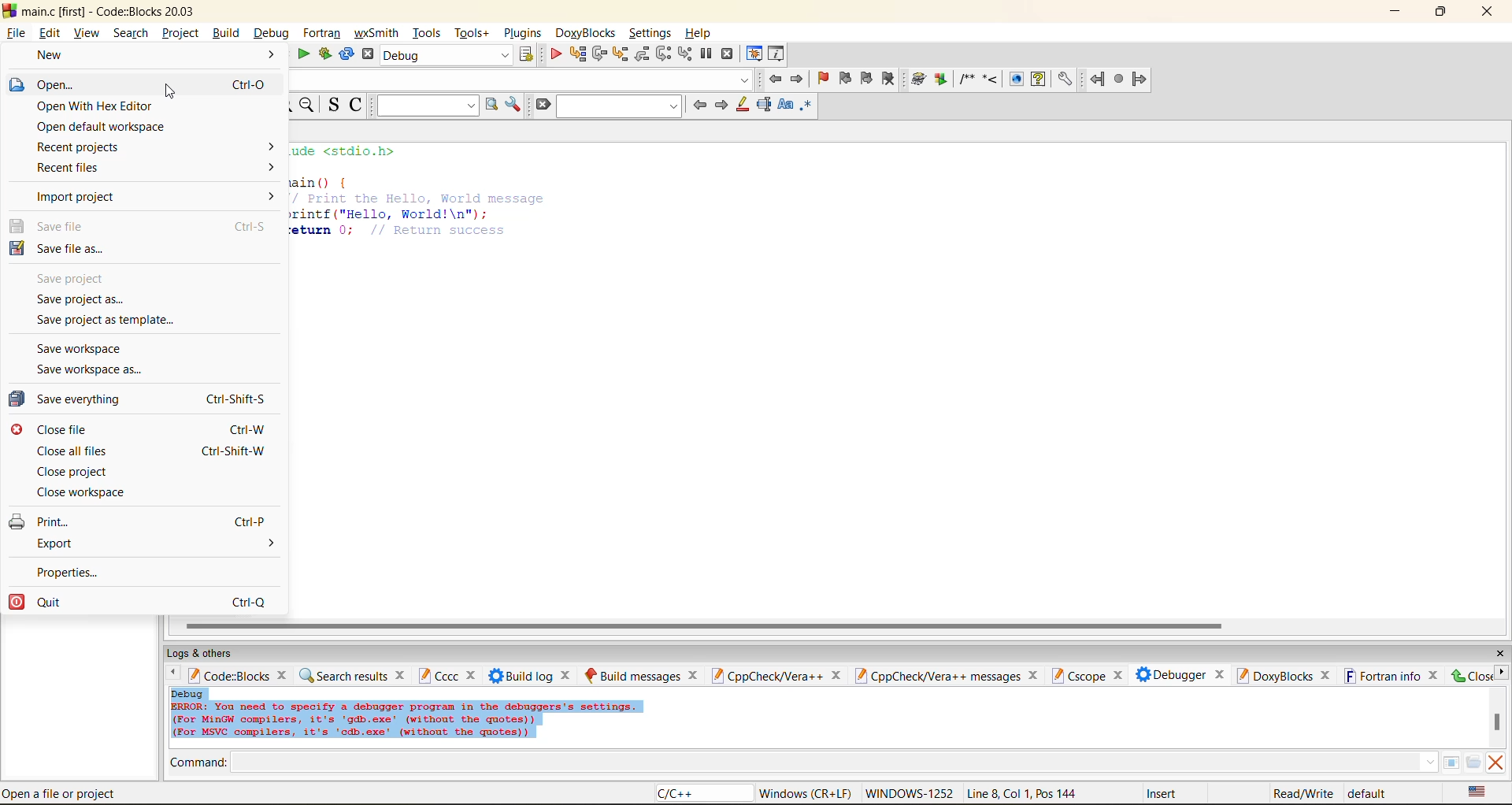 This screenshot has height=805, width=1512. What do you see at coordinates (1038, 79) in the screenshot?
I see `help` at bounding box center [1038, 79].